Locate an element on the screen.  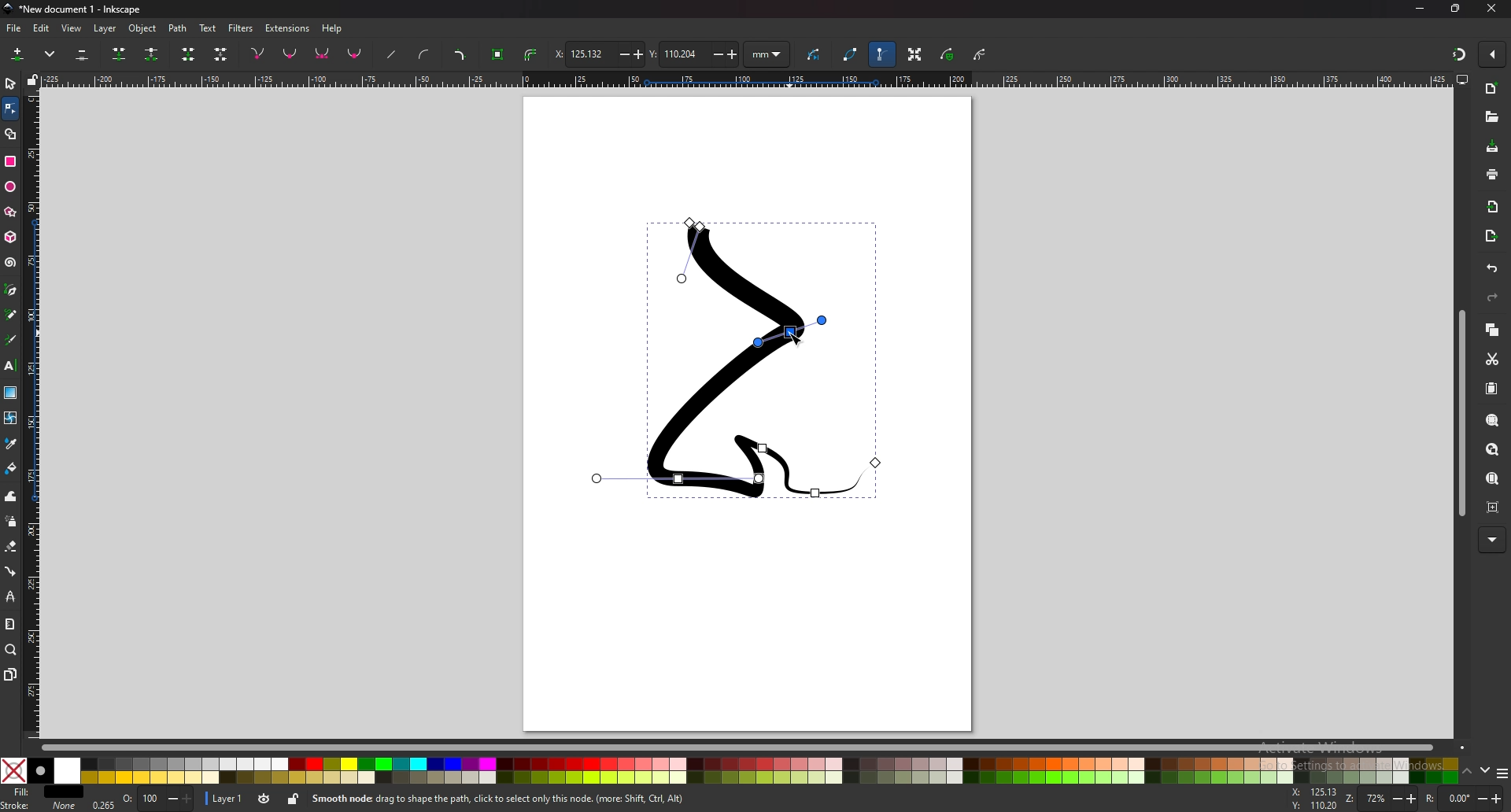
view is located at coordinates (74, 28).